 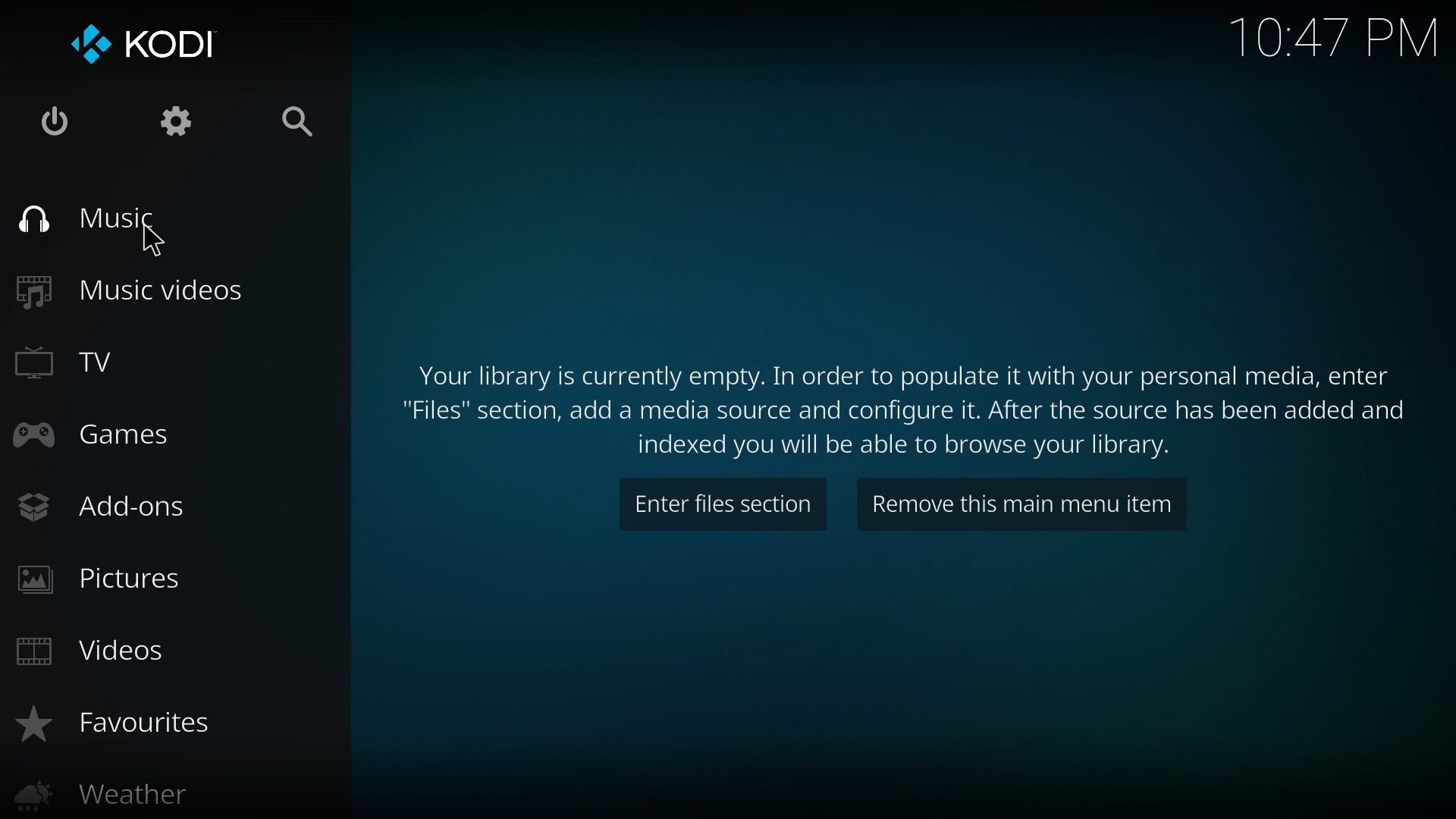 What do you see at coordinates (108, 435) in the screenshot?
I see `games` at bounding box center [108, 435].